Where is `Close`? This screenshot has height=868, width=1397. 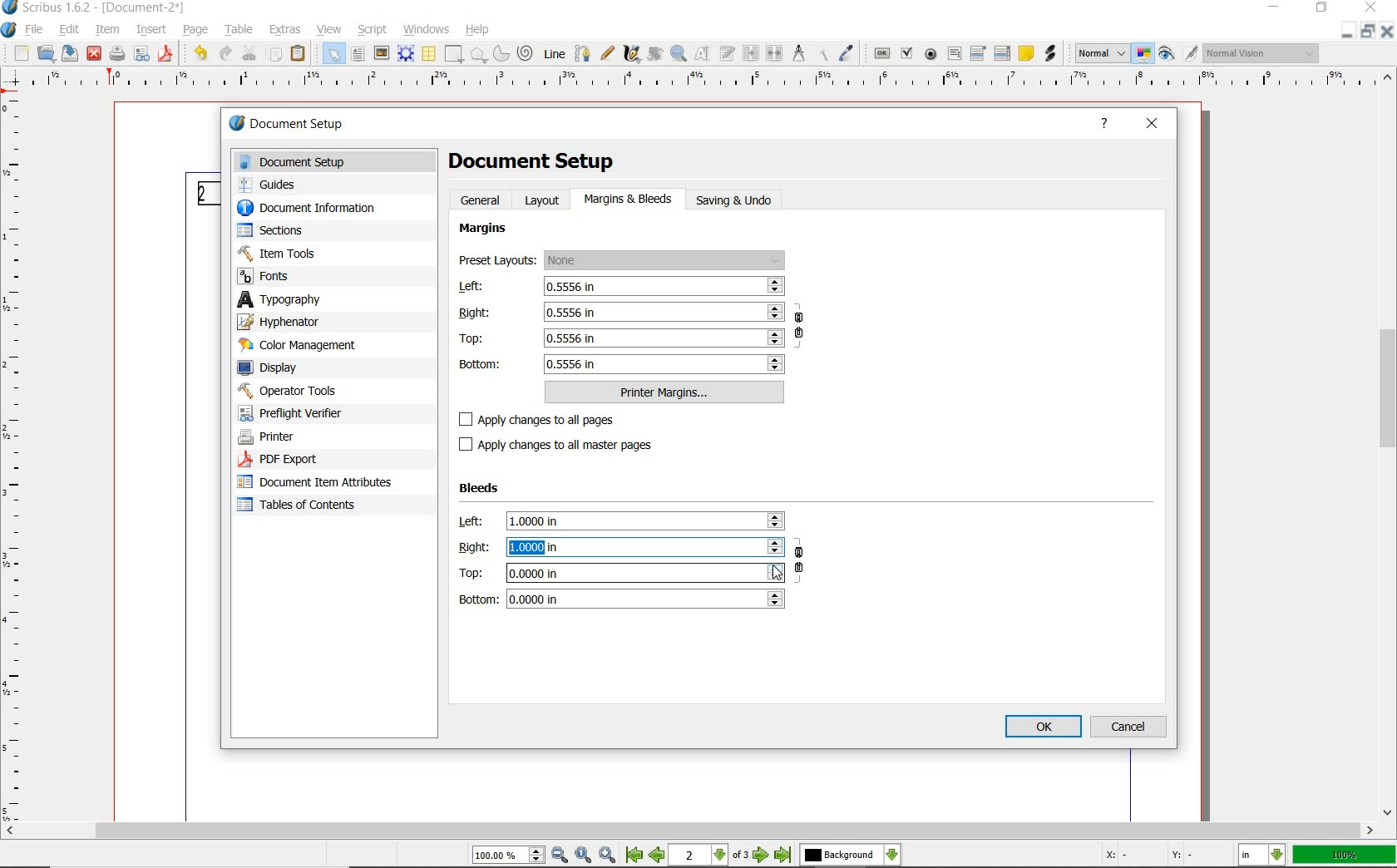 Close is located at coordinates (1346, 31).